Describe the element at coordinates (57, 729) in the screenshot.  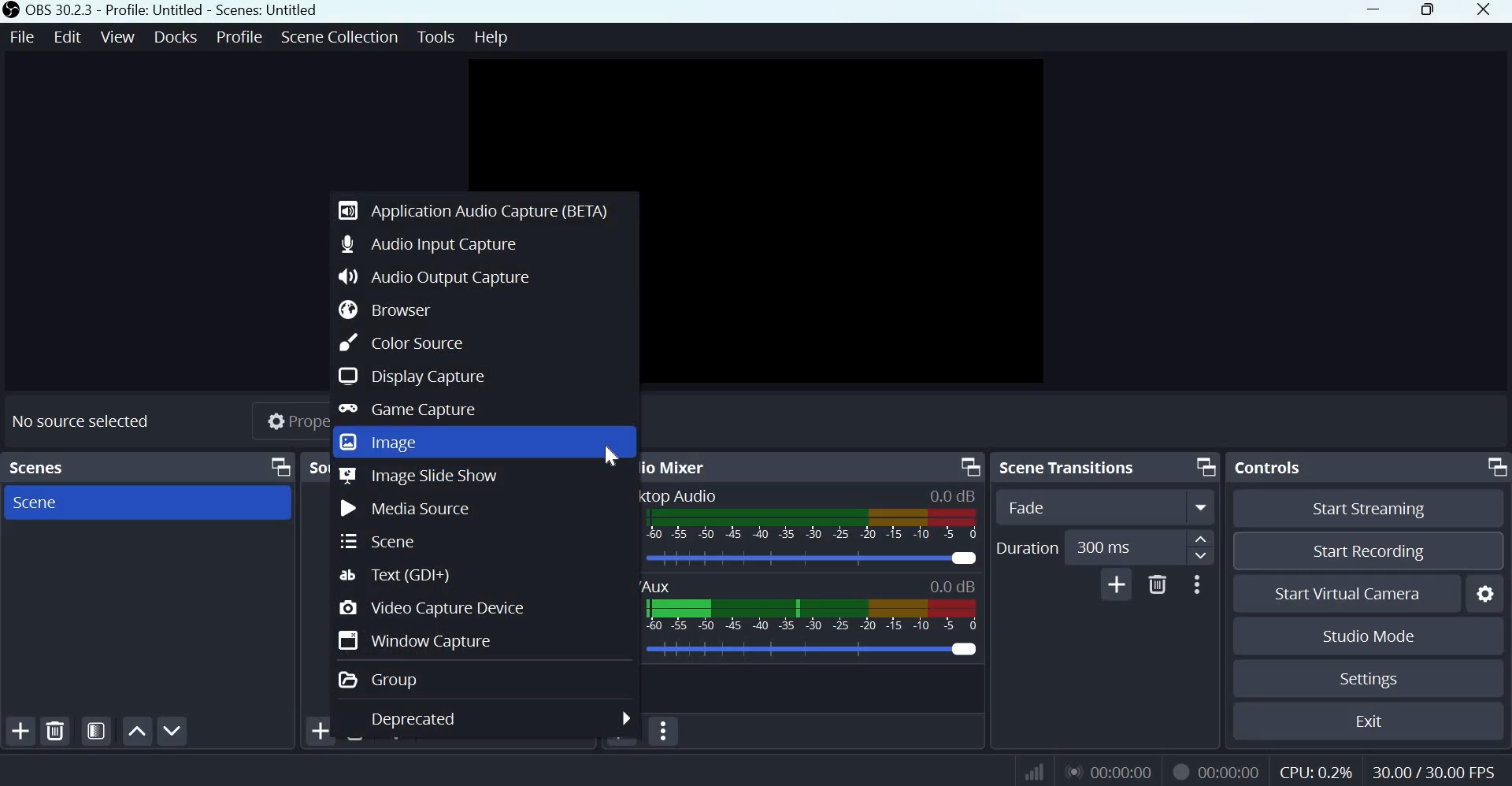
I see `Remove selected scene` at that location.